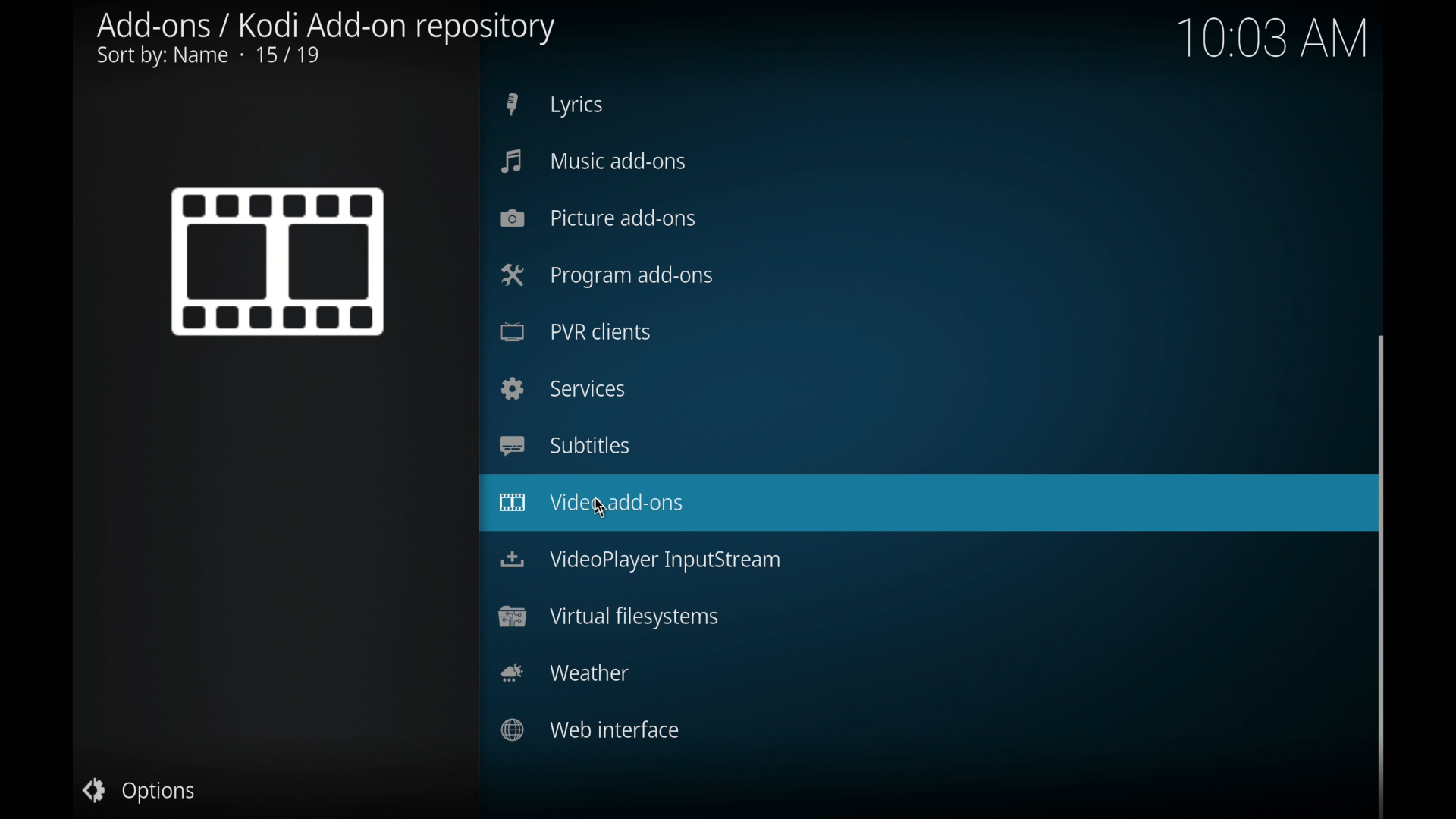  What do you see at coordinates (600, 218) in the screenshot?
I see `picture add-ons` at bounding box center [600, 218].